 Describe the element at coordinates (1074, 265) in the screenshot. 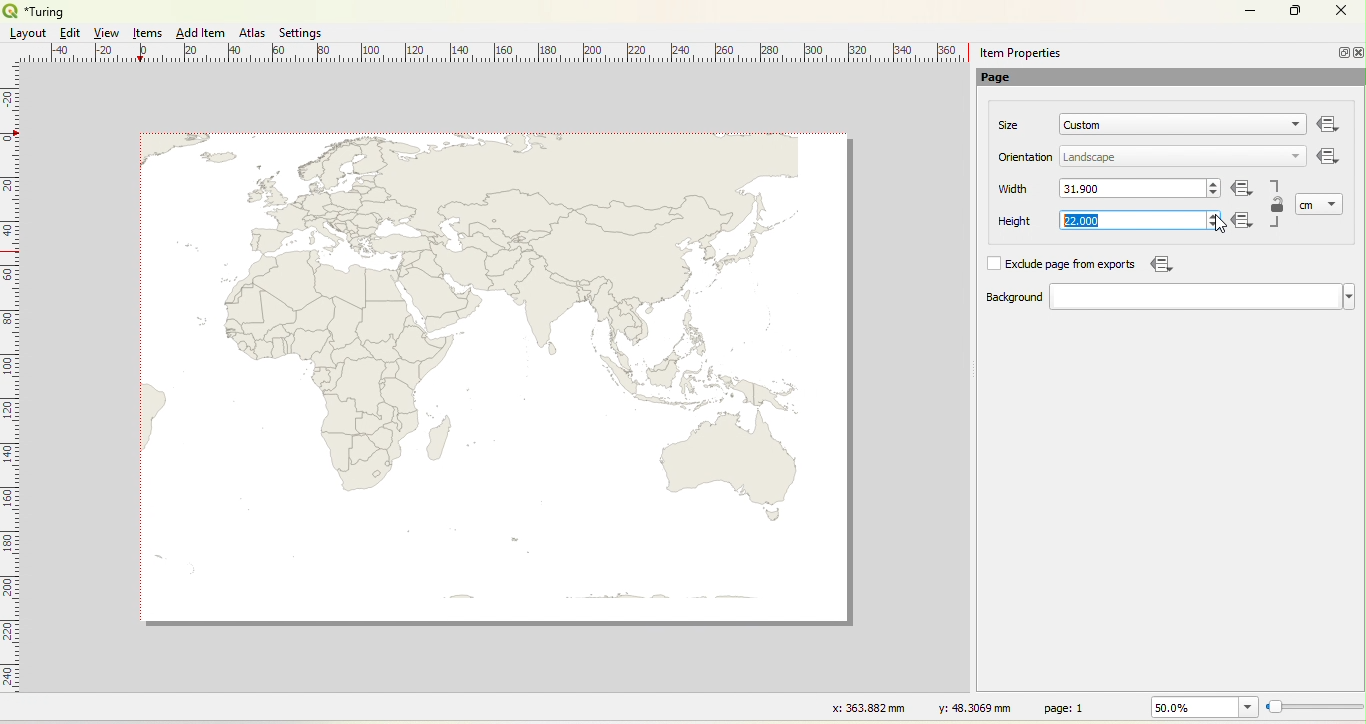

I see `Exclude page from exports` at that location.